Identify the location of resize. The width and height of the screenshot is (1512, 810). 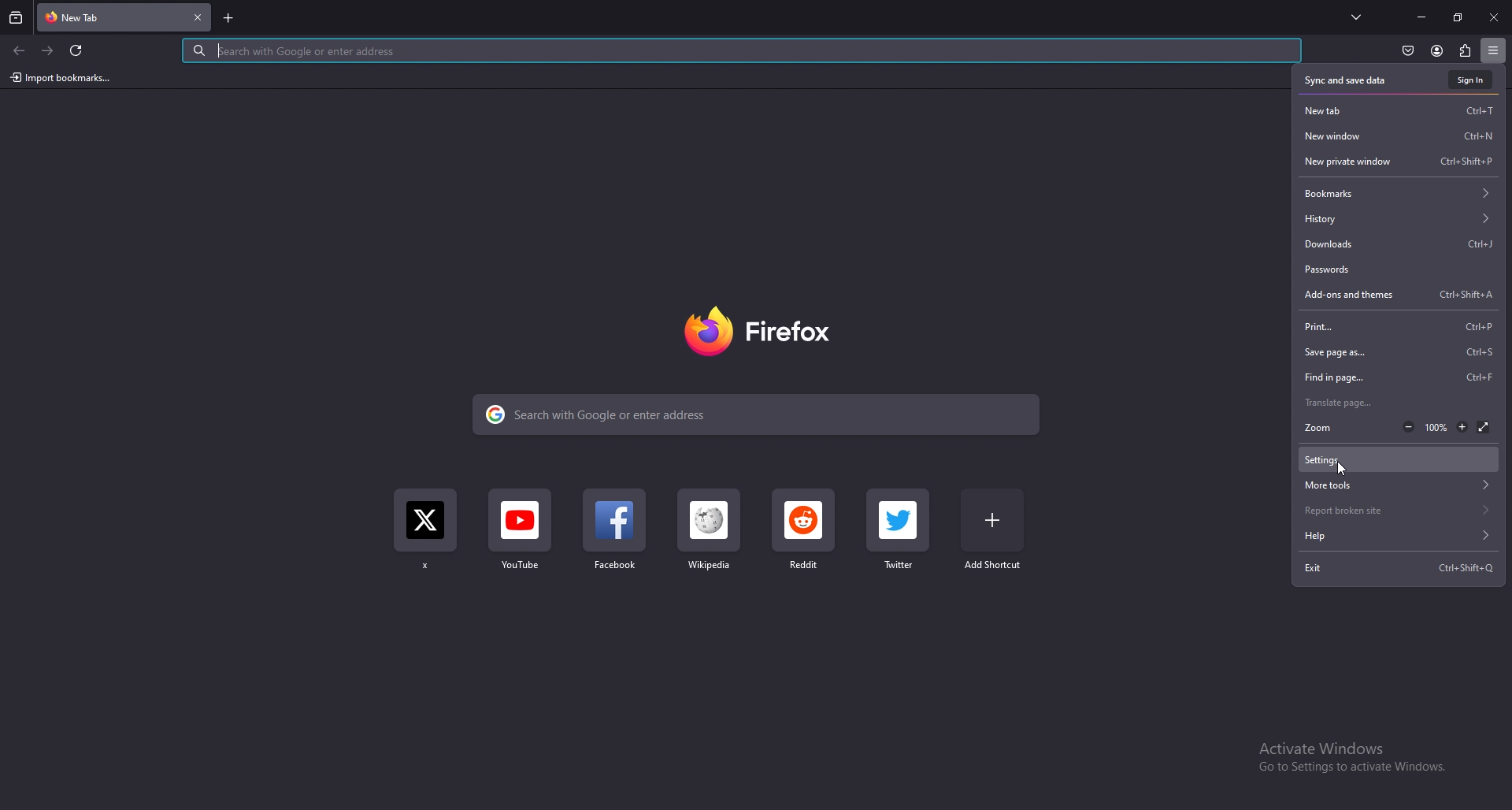
(1457, 17).